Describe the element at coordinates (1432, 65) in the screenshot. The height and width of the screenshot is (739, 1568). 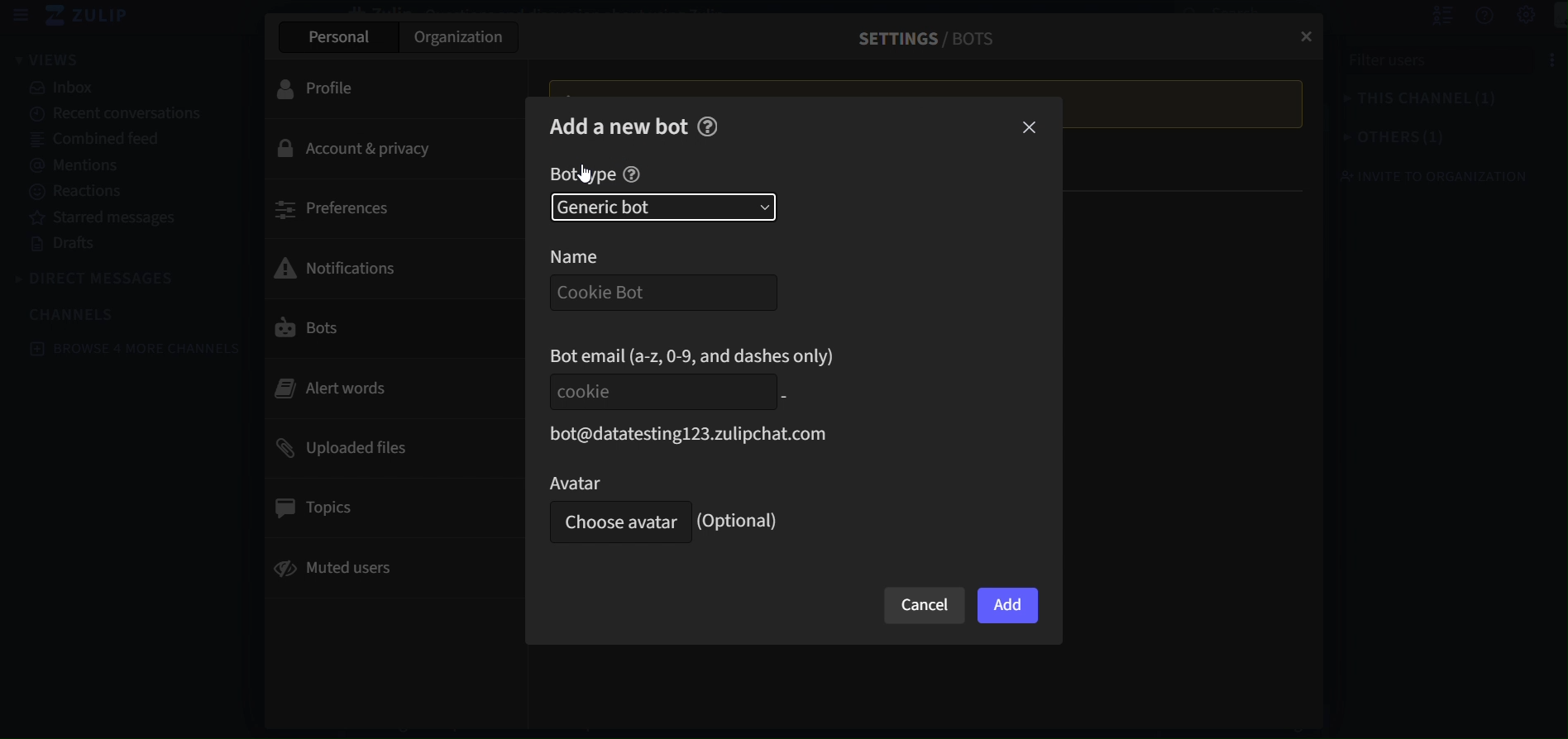
I see `filter users` at that location.